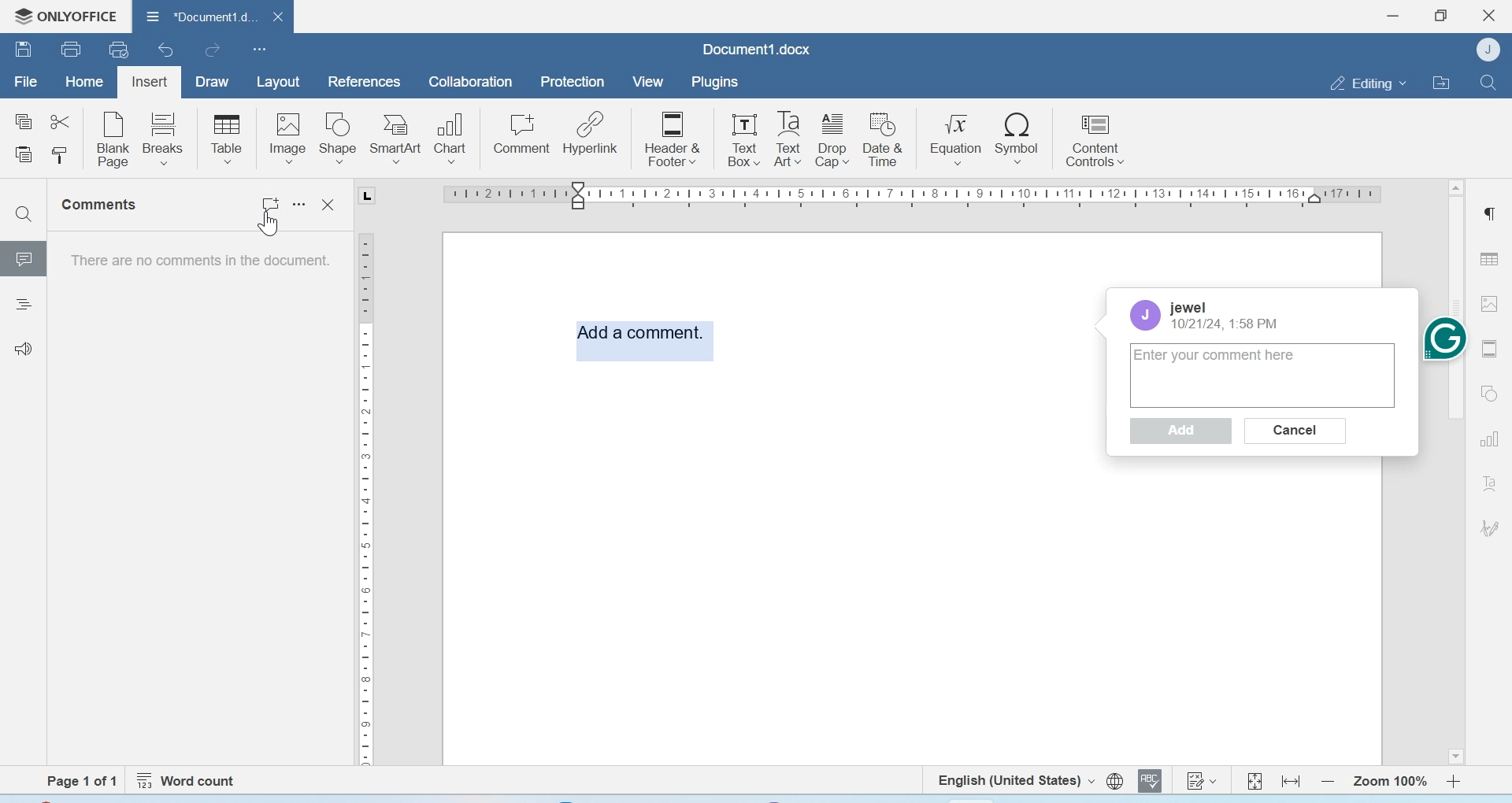 This screenshot has width=1512, height=803. I want to click on Content controls, so click(1094, 138).